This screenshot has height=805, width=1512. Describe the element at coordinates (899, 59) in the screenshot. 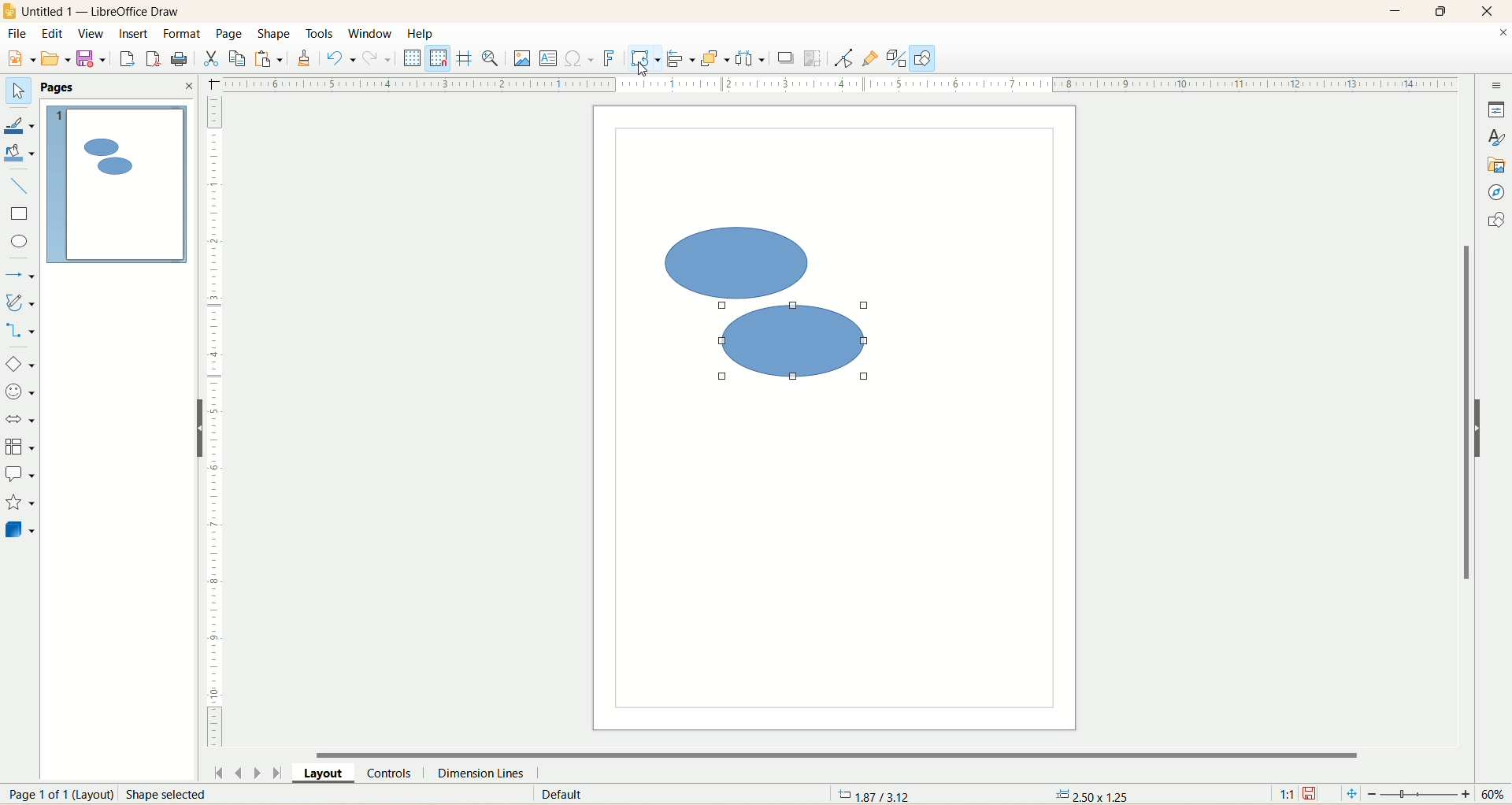

I see `toggle extrusion` at that location.